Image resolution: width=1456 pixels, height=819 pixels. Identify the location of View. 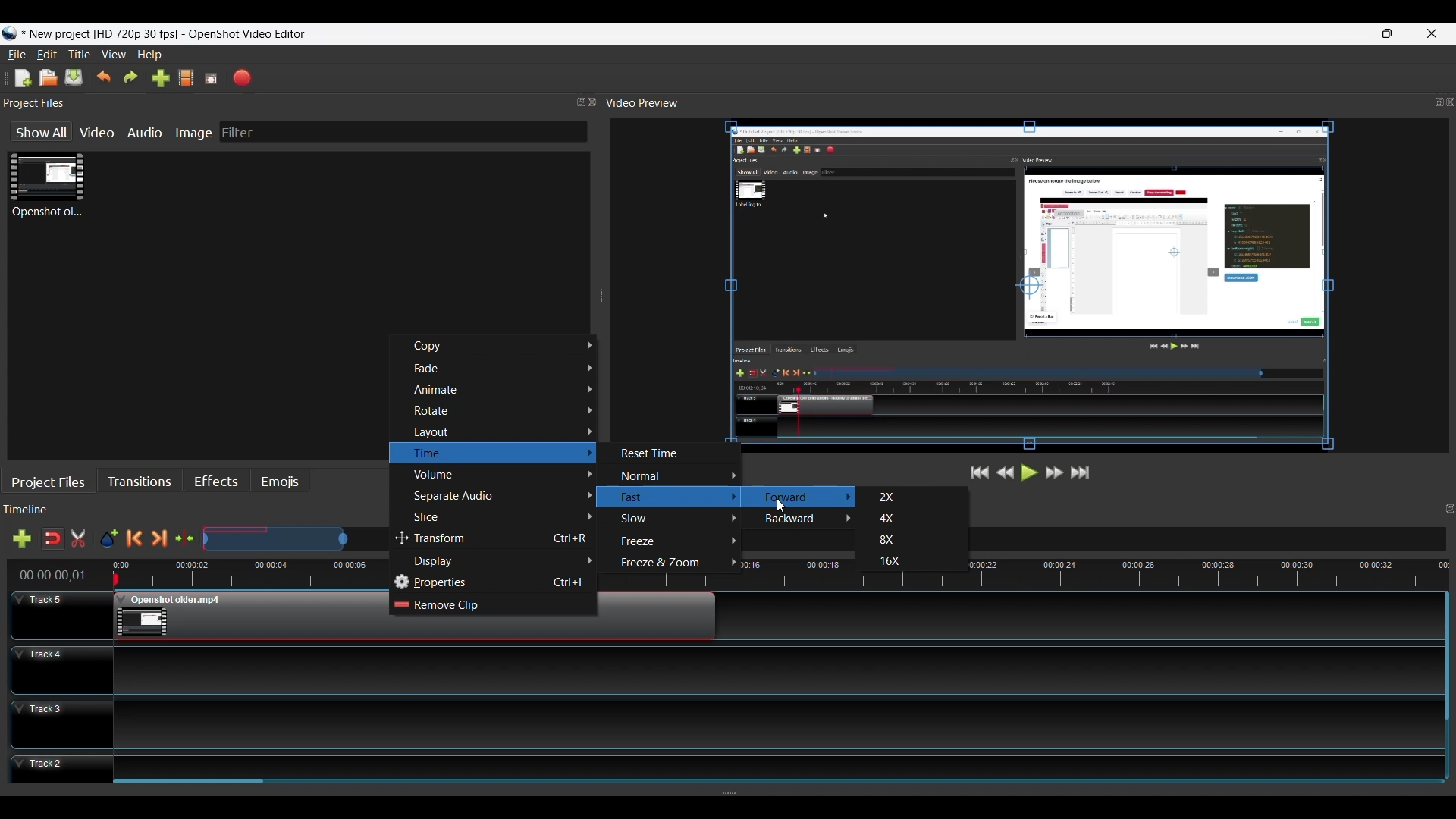
(113, 55).